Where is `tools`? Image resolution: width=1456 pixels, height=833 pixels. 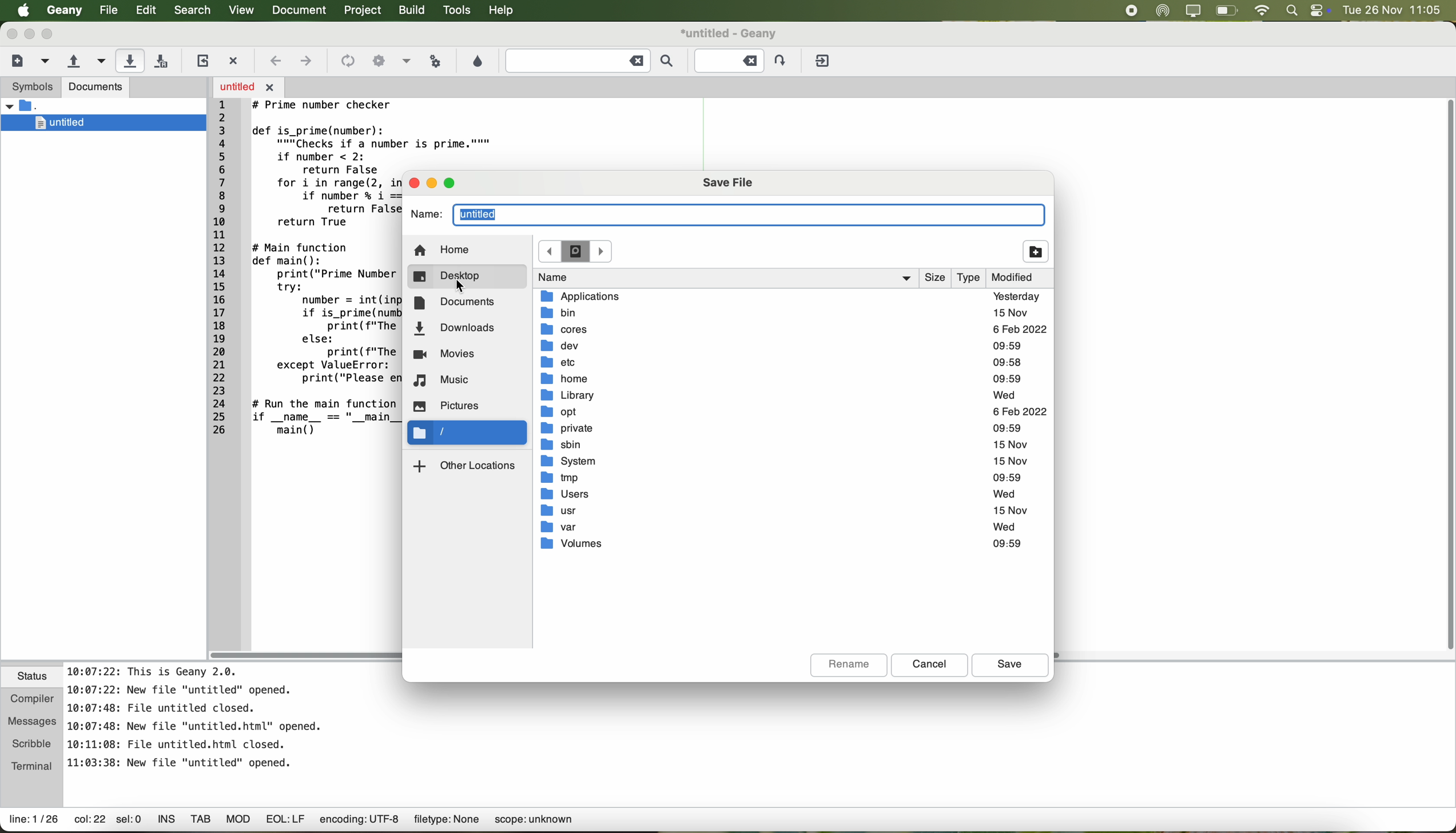
tools is located at coordinates (458, 11).